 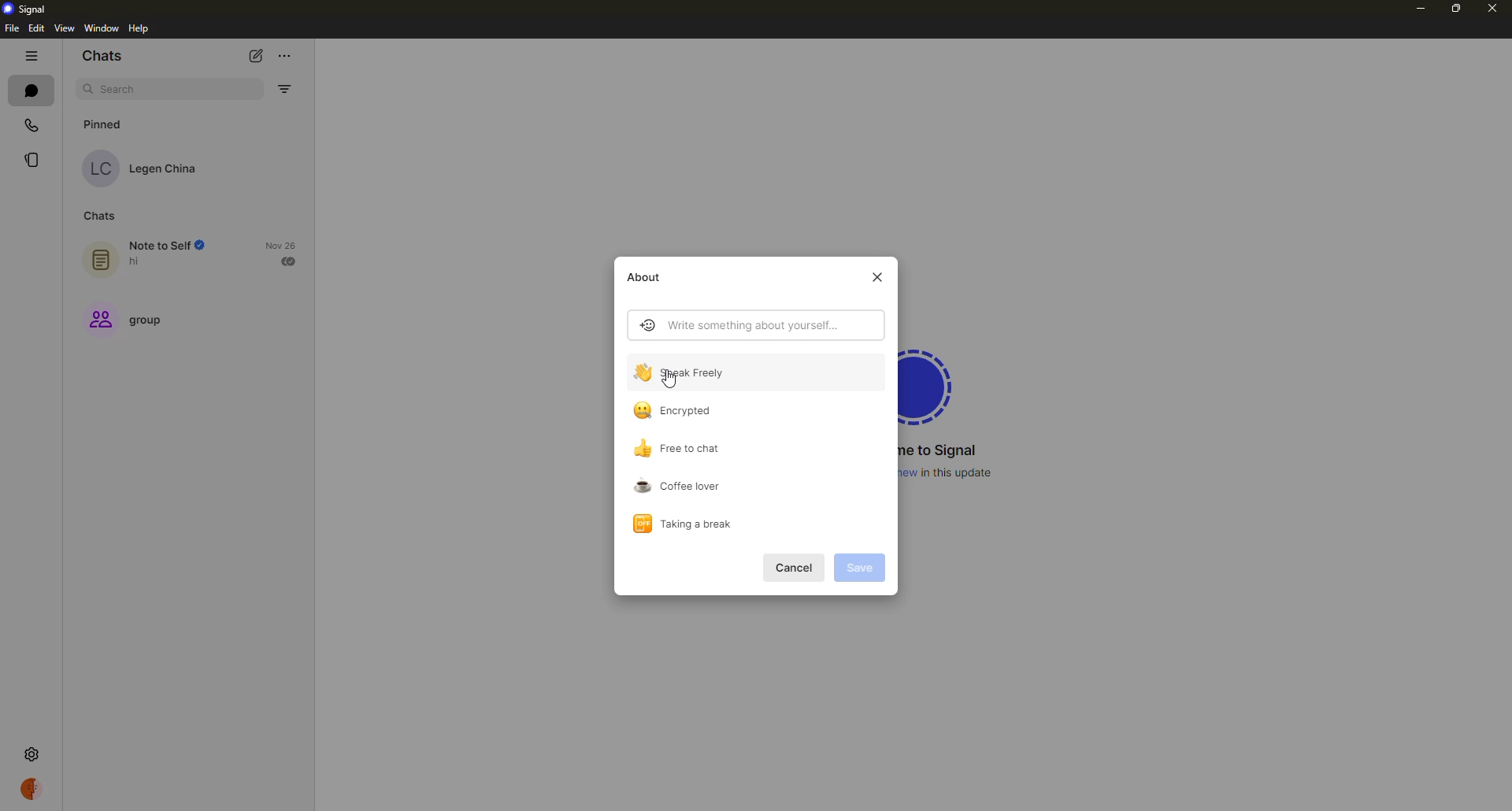 What do you see at coordinates (687, 372) in the screenshot?
I see `speak freely` at bounding box center [687, 372].